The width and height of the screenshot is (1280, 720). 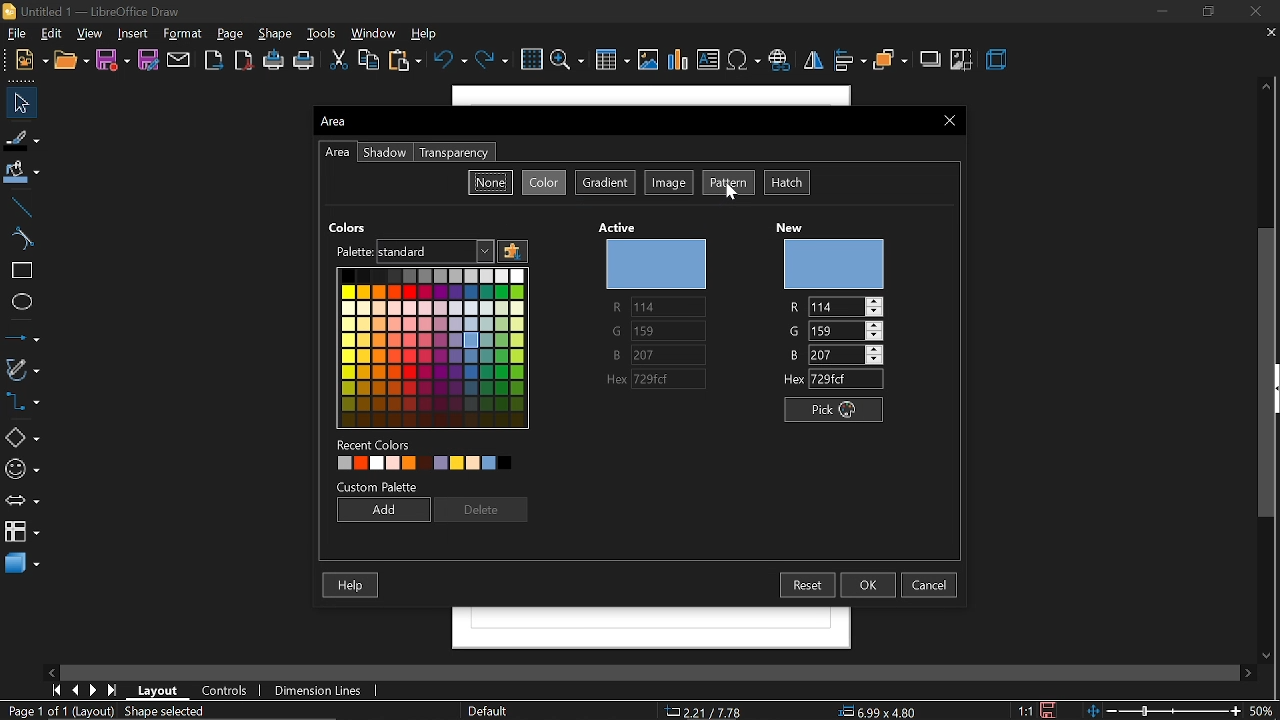 What do you see at coordinates (355, 227) in the screenshot?
I see `Colors` at bounding box center [355, 227].